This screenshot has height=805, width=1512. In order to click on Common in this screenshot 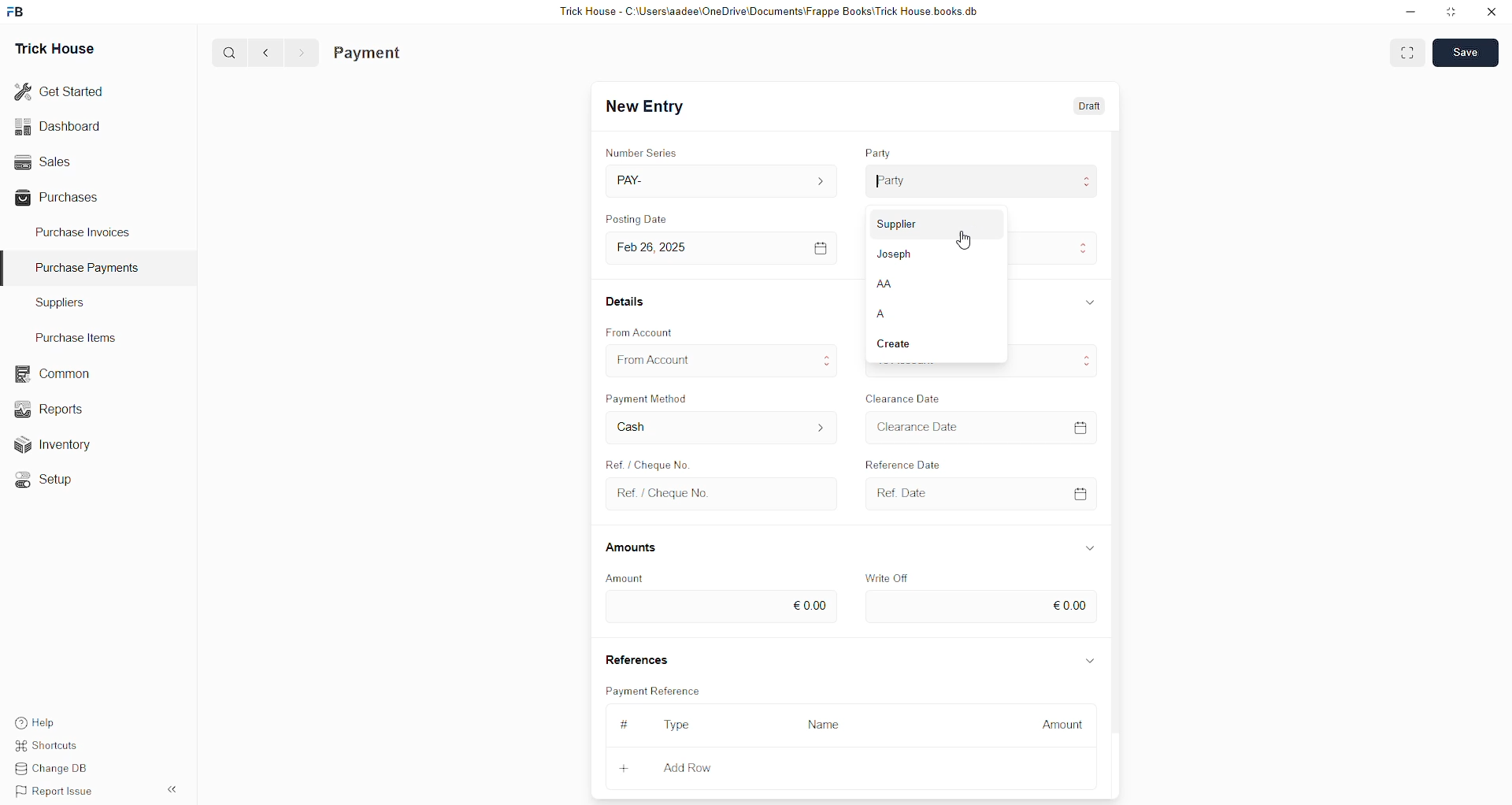, I will do `click(50, 373)`.